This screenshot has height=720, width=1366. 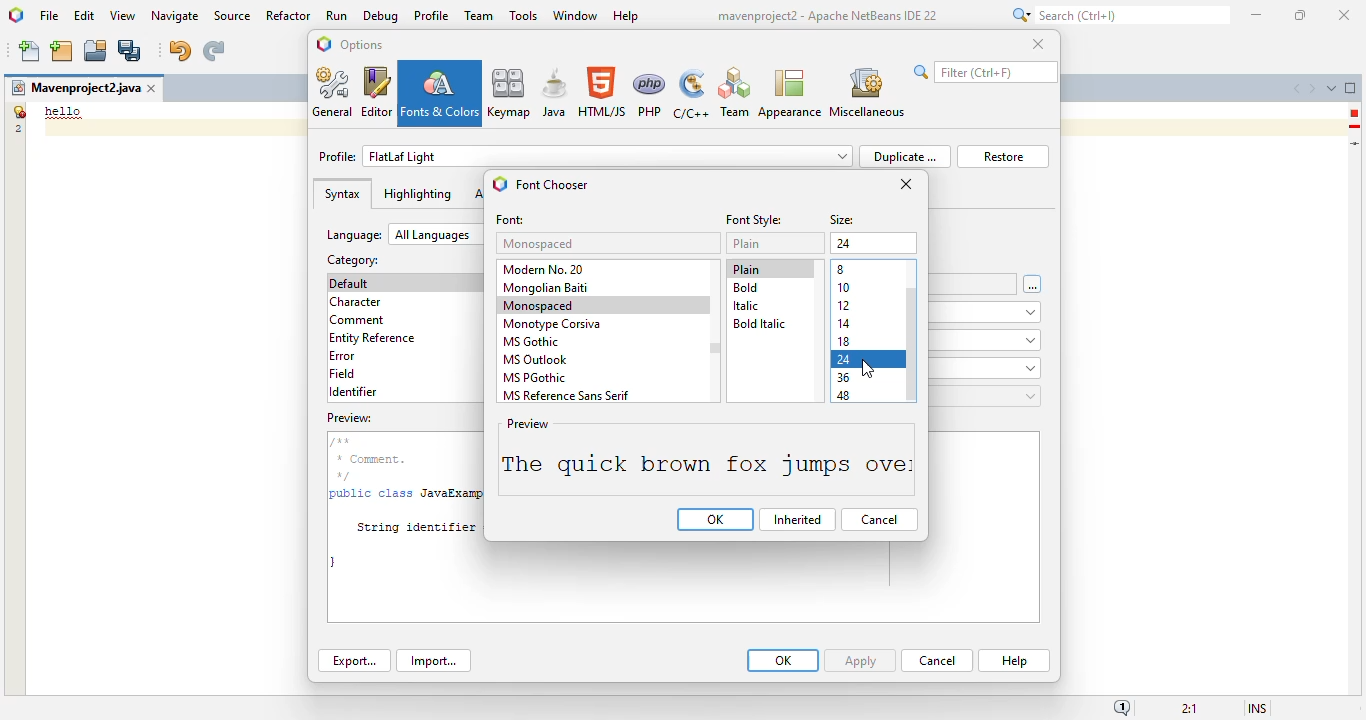 I want to click on Inherited, so click(x=798, y=520).